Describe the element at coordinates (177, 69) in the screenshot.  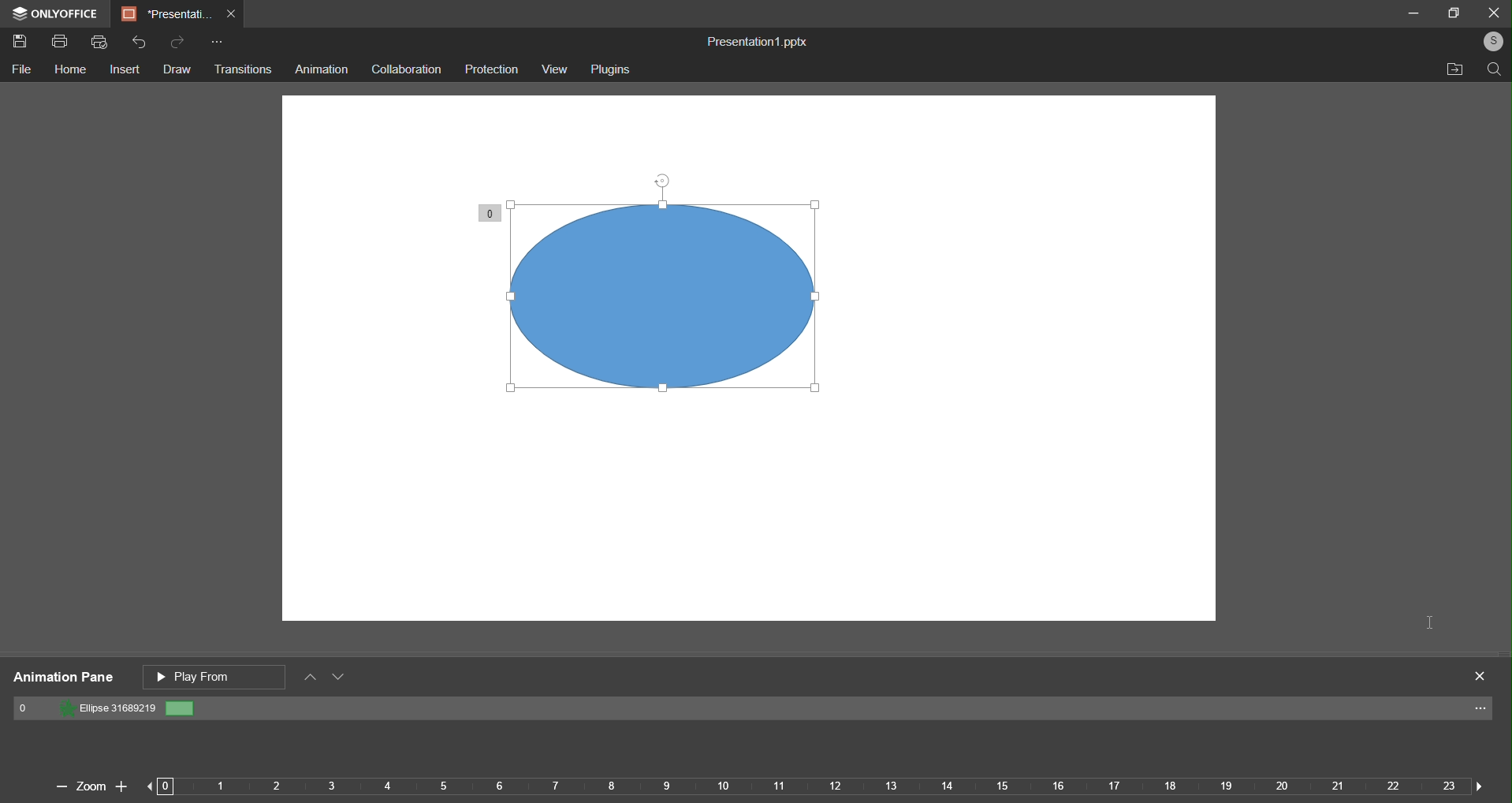
I see `draw` at that location.